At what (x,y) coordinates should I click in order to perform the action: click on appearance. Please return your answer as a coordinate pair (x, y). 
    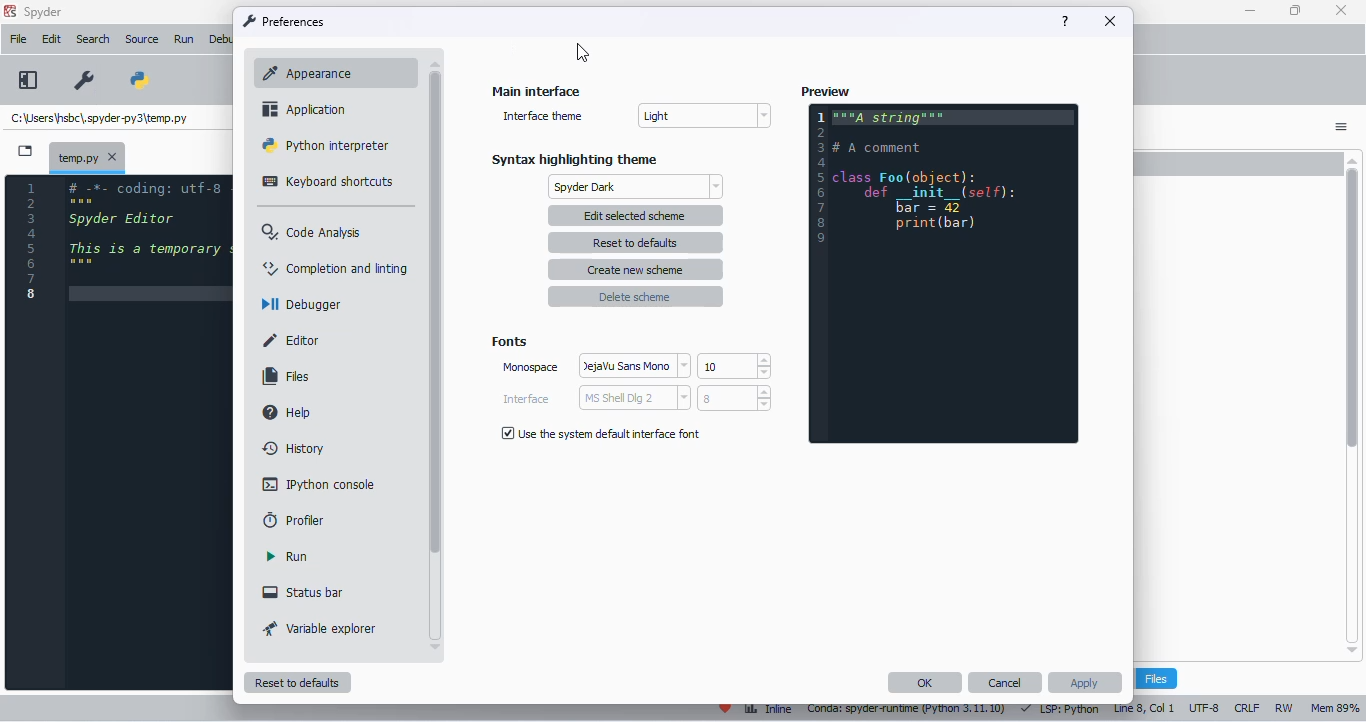
    Looking at the image, I should click on (333, 73).